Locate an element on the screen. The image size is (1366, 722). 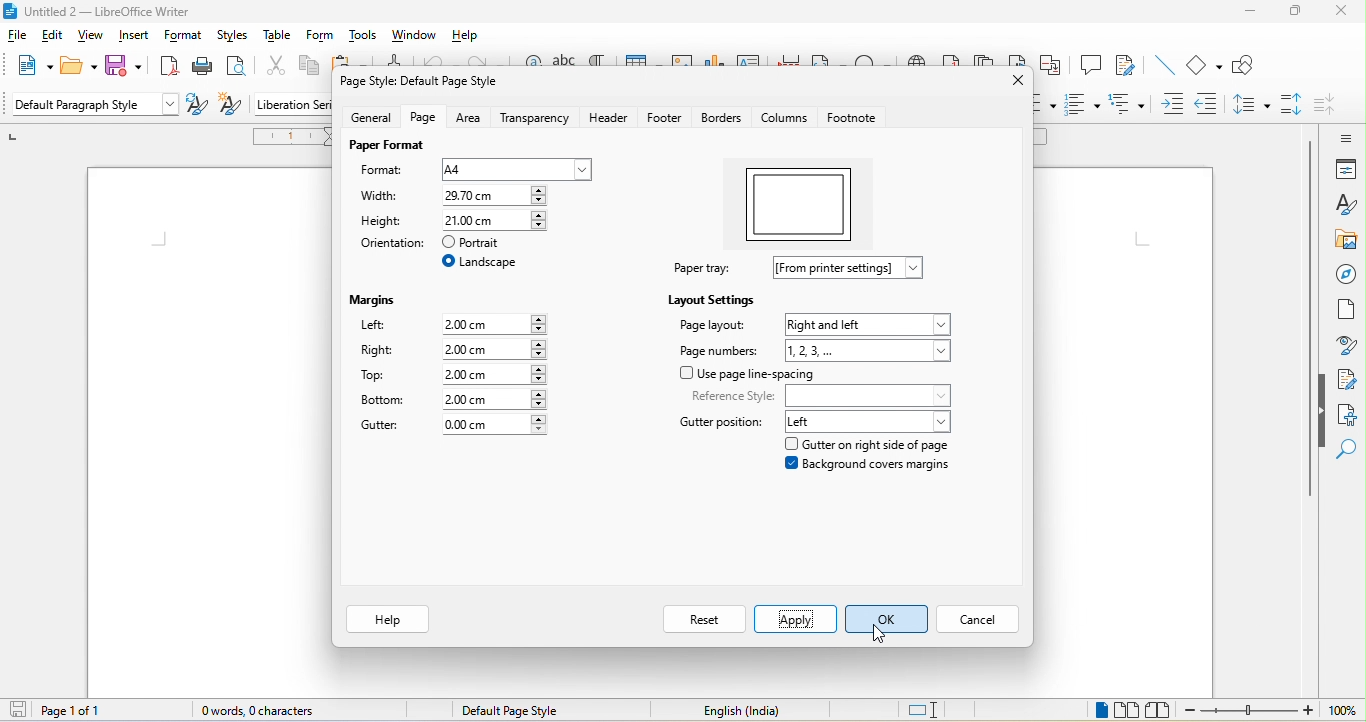
close is located at coordinates (1340, 12).